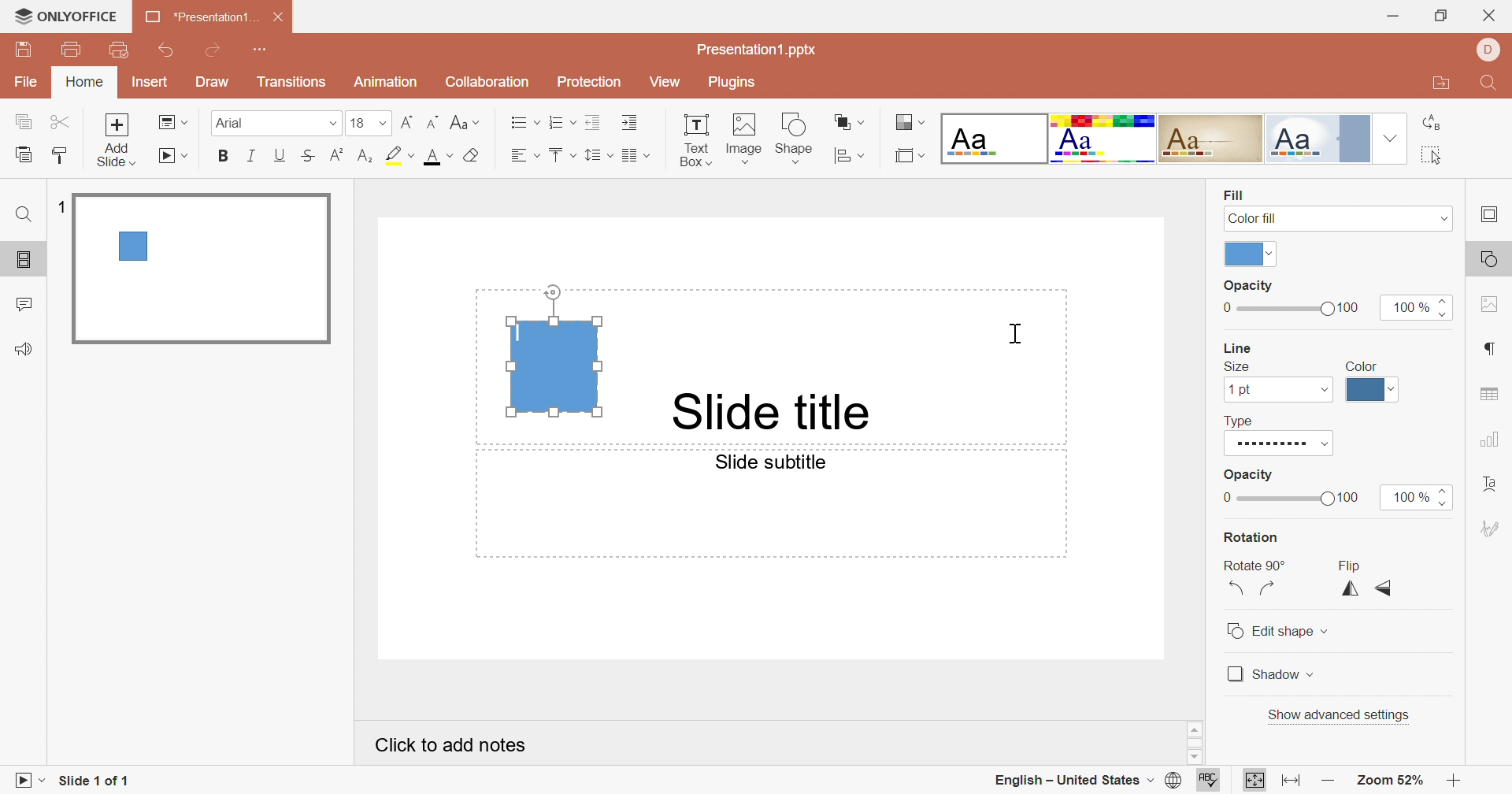 Image resolution: width=1512 pixels, height=794 pixels. What do you see at coordinates (769, 410) in the screenshot?
I see `Slide title` at bounding box center [769, 410].